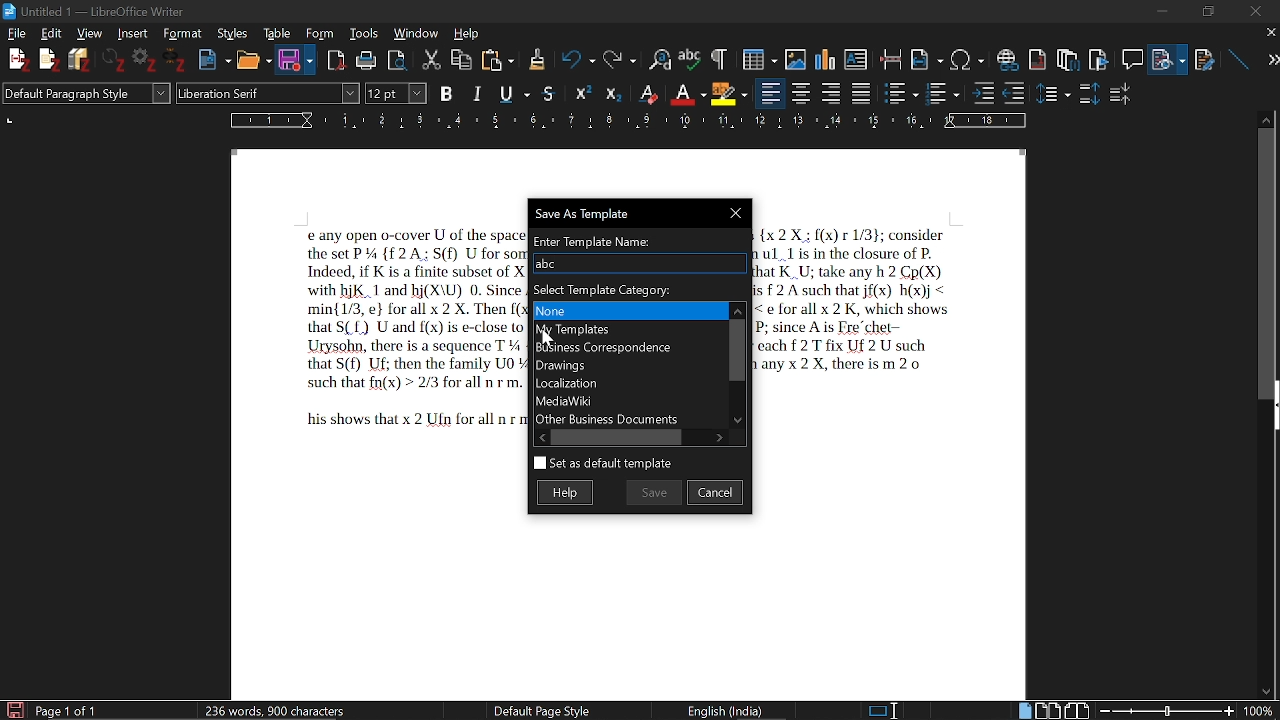 This screenshot has height=720, width=1280. I want to click on Untitled - LibreOffice Writer, so click(112, 9).